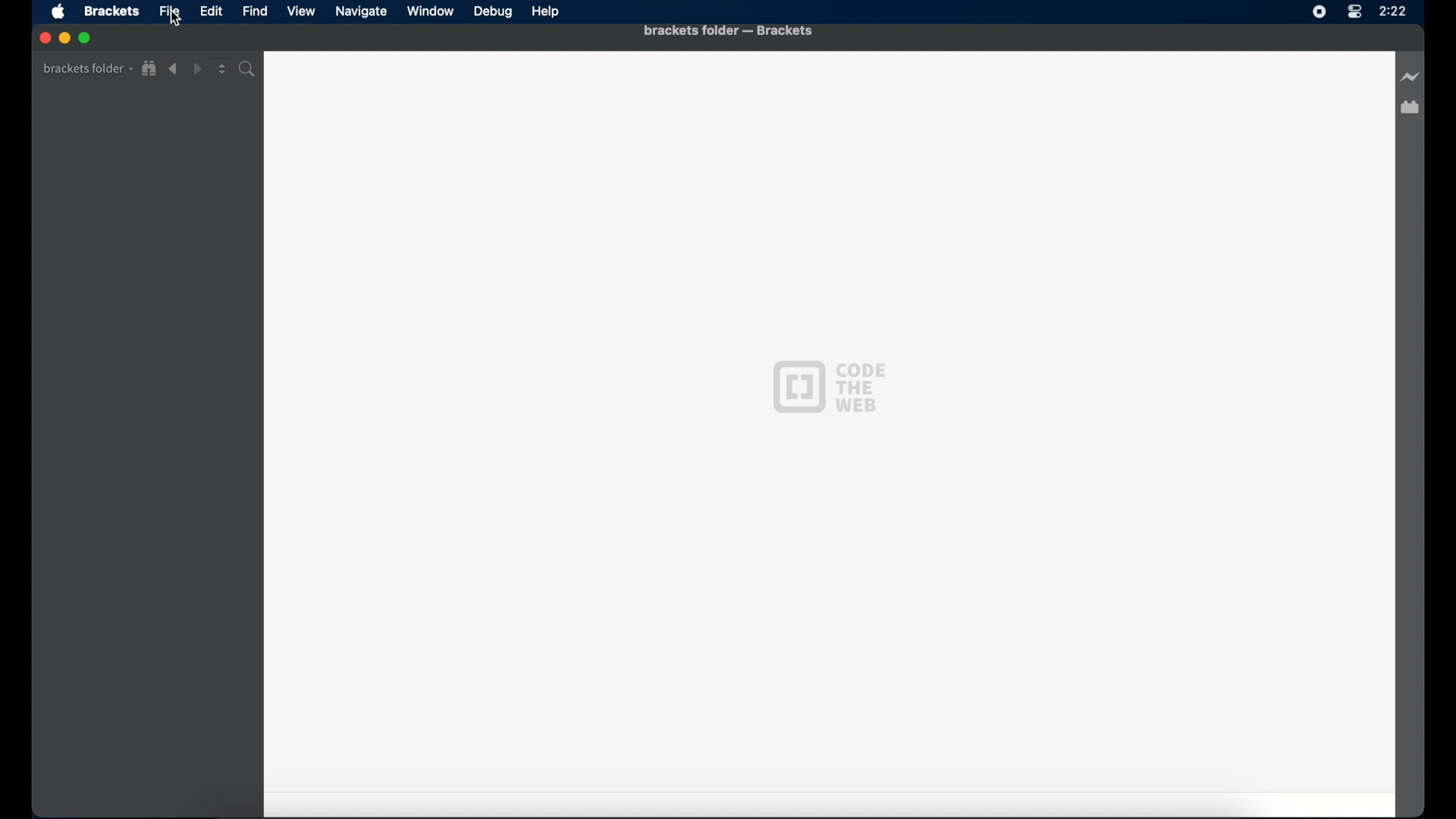 This screenshot has width=1456, height=819. What do you see at coordinates (1403, 18) in the screenshot?
I see `2:22` at bounding box center [1403, 18].